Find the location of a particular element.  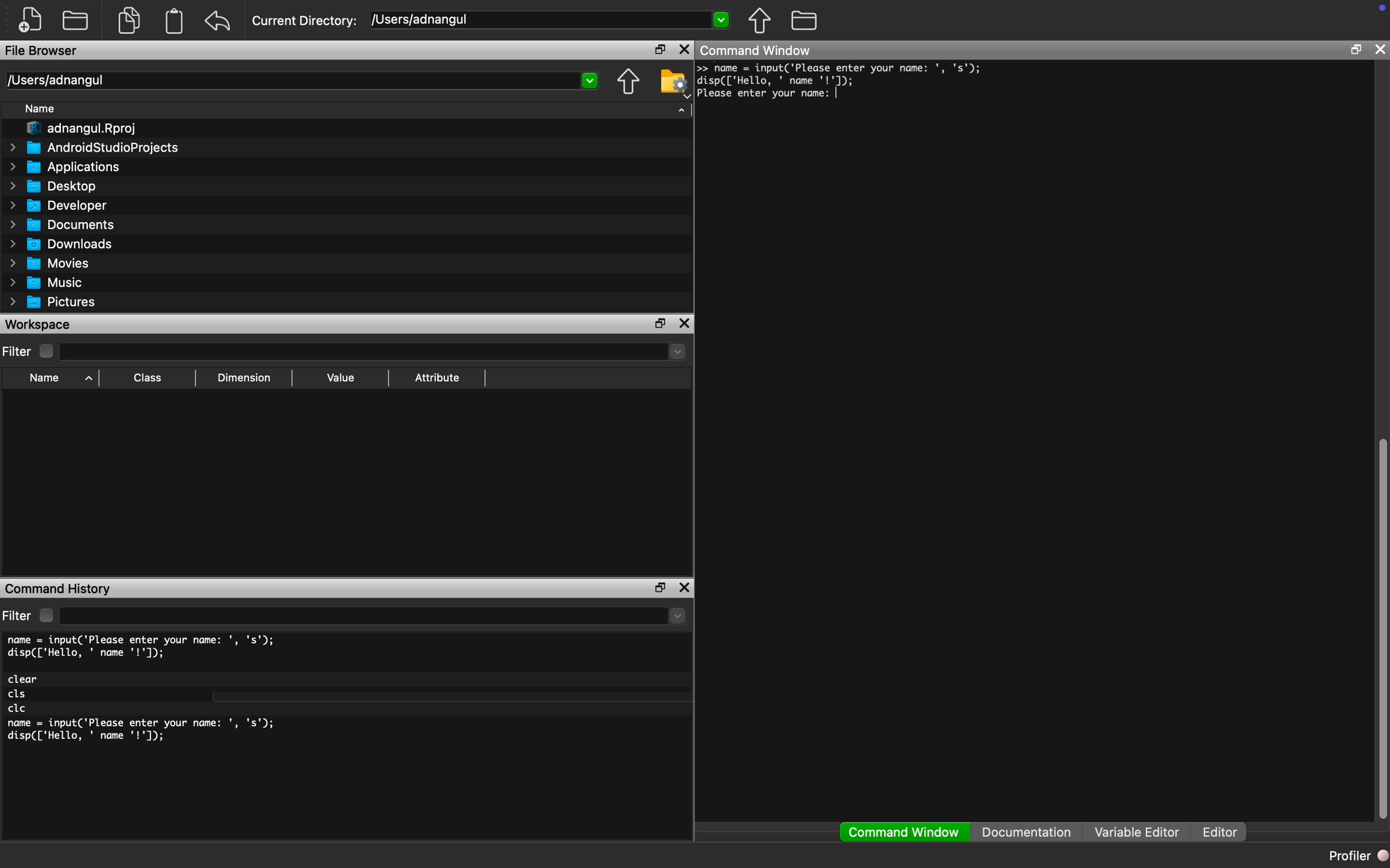

clear is located at coordinates (24, 679).